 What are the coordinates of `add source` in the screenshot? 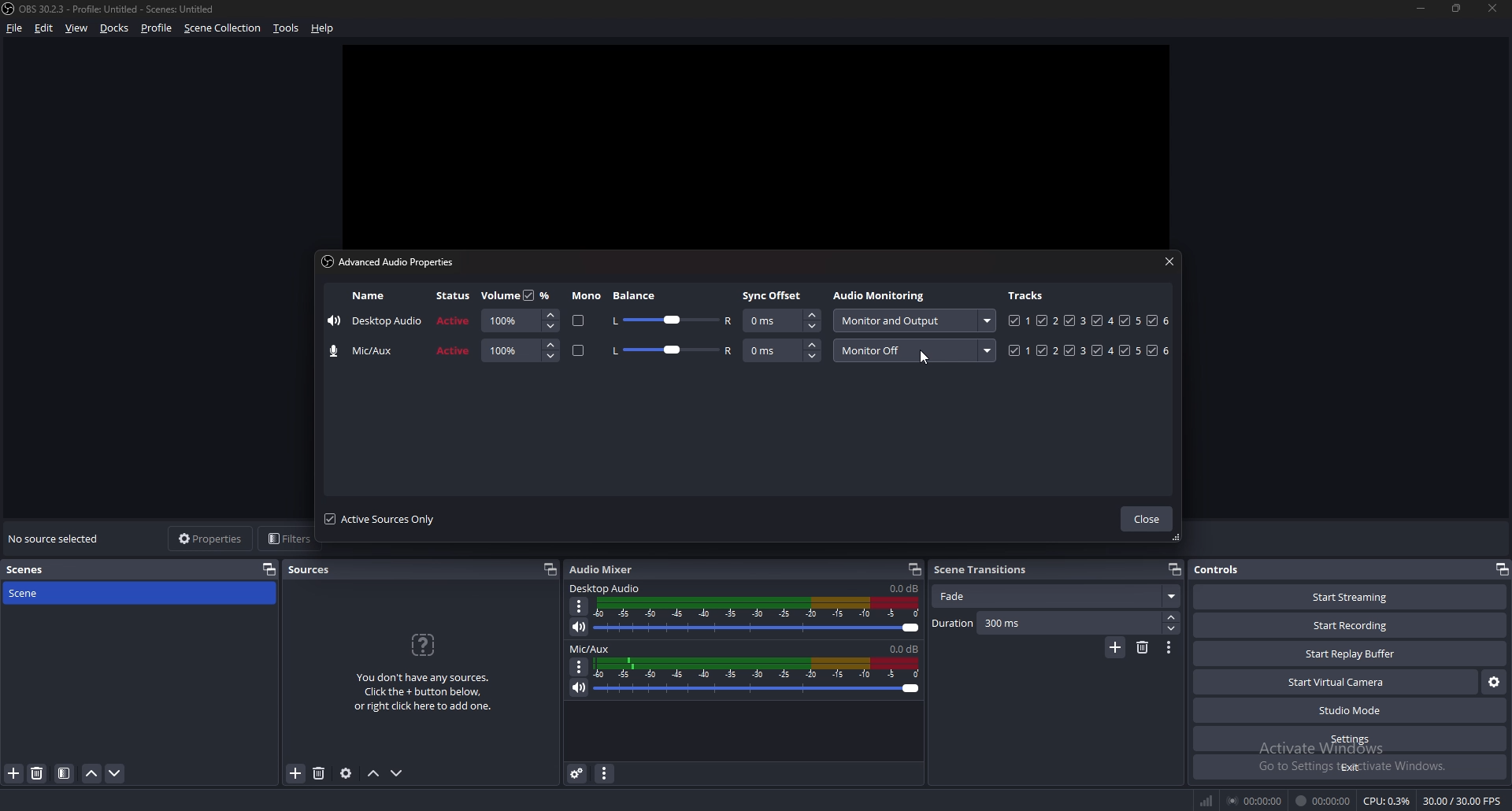 It's located at (296, 773).